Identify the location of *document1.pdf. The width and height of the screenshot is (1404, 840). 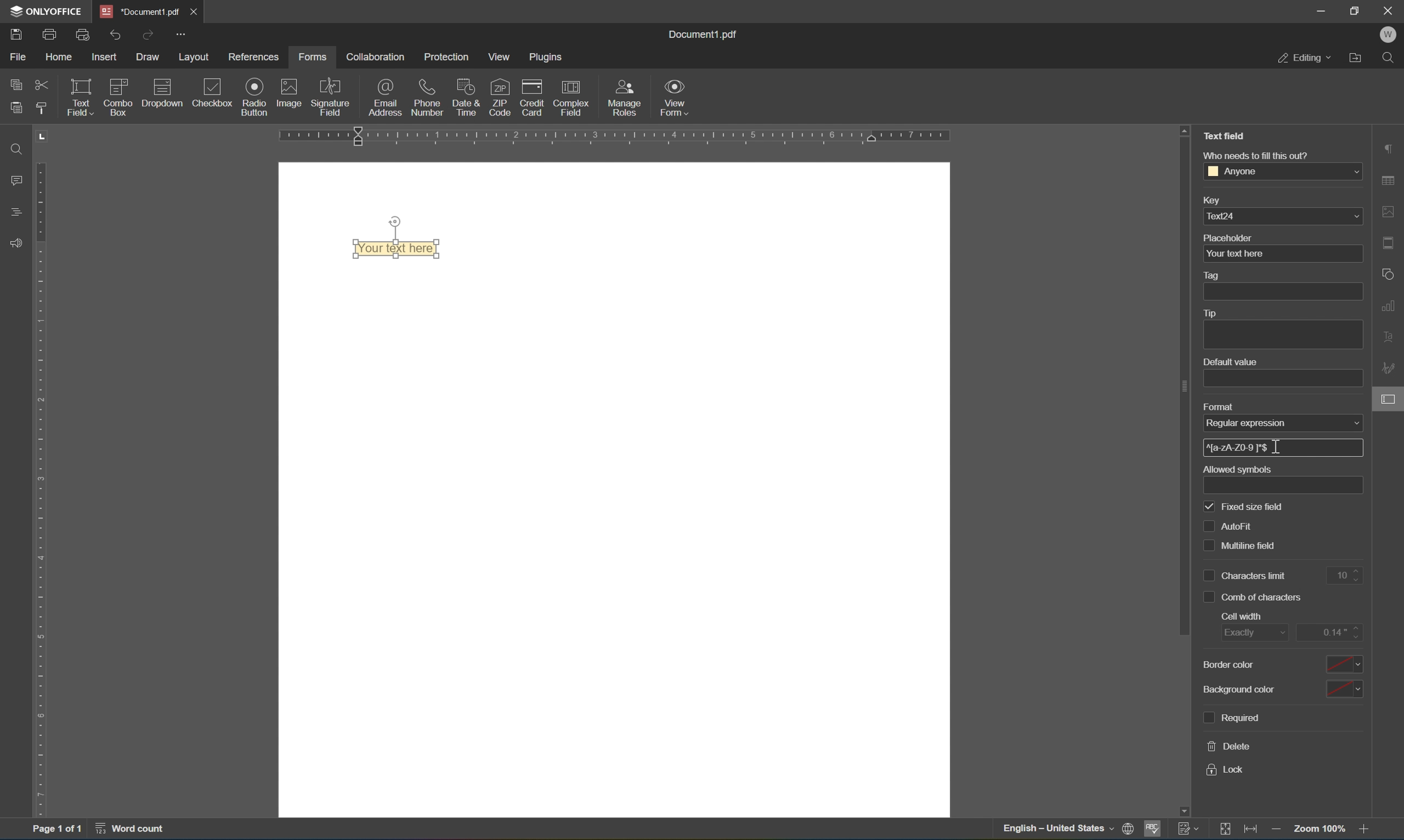
(140, 11).